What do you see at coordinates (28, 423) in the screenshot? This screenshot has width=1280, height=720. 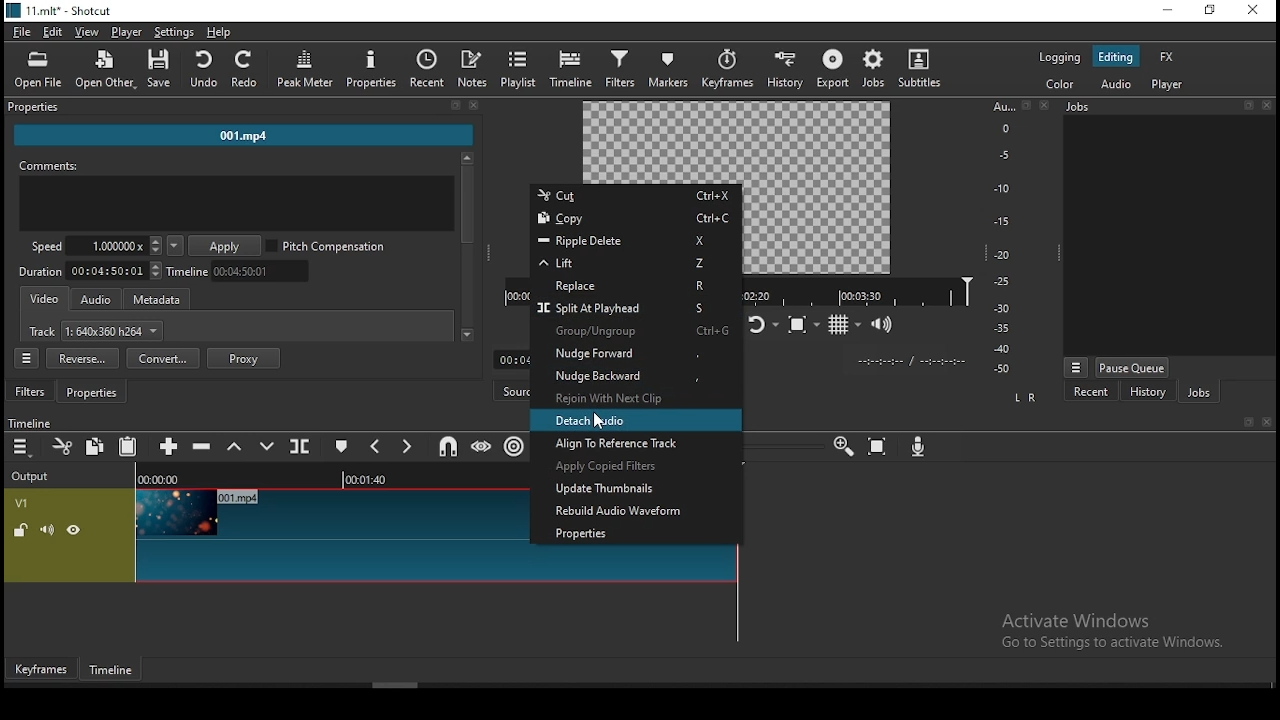 I see `timeline` at bounding box center [28, 423].